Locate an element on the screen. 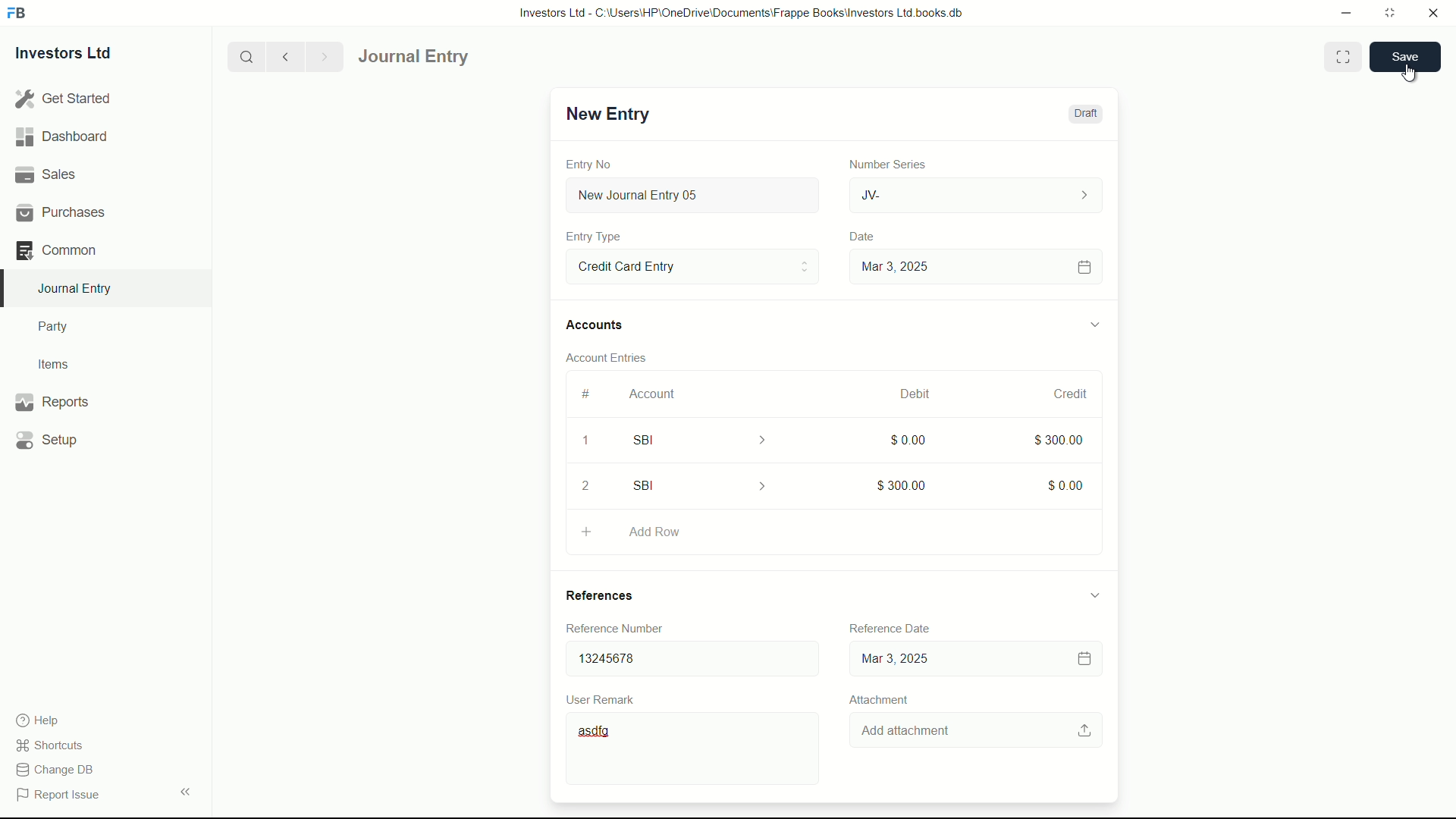 Image resolution: width=1456 pixels, height=819 pixels. Account Entries is located at coordinates (613, 355).